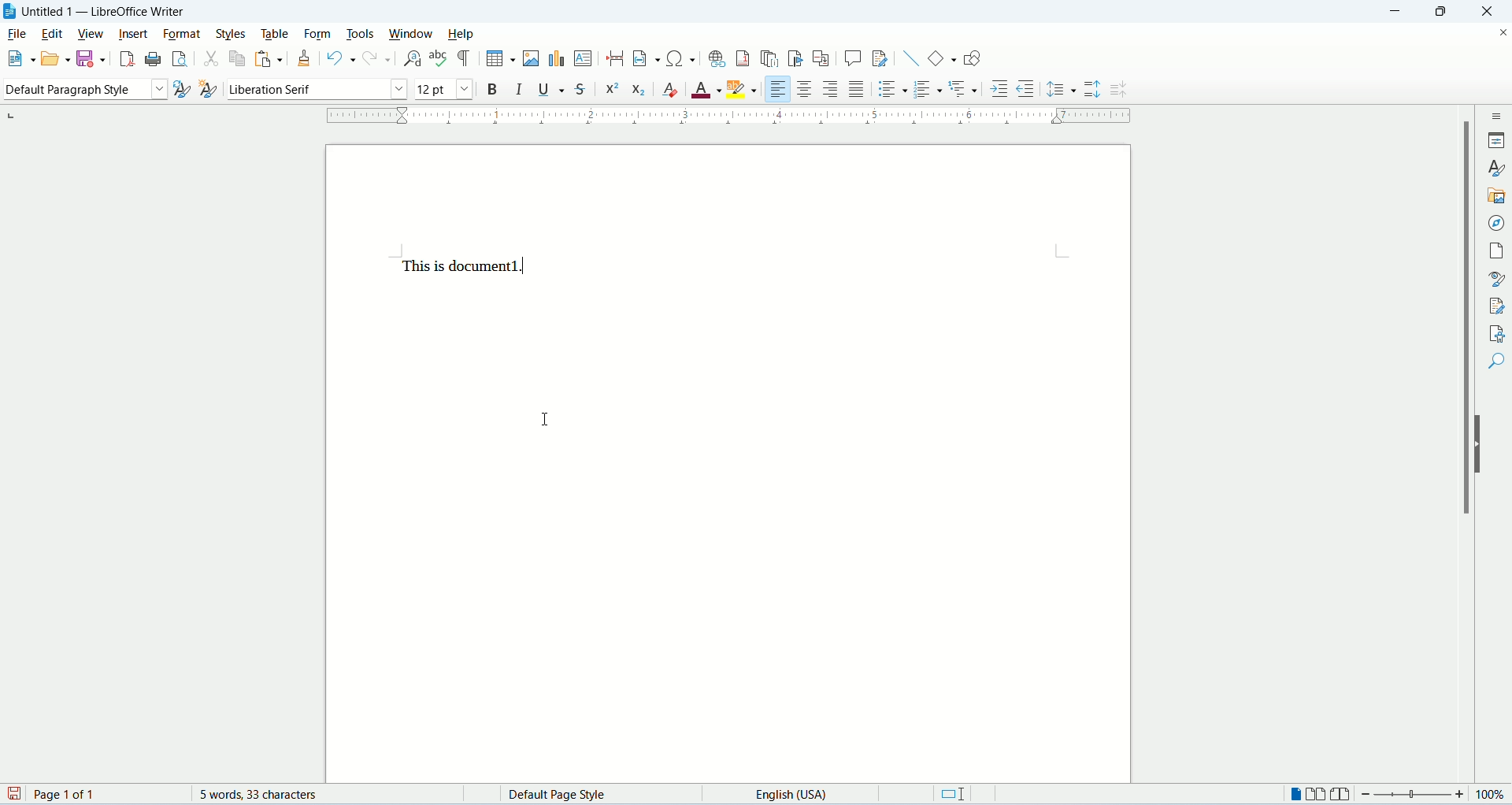  What do you see at coordinates (530, 57) in the screenshot?
I see `insert image` at bounding box center [530, 57].